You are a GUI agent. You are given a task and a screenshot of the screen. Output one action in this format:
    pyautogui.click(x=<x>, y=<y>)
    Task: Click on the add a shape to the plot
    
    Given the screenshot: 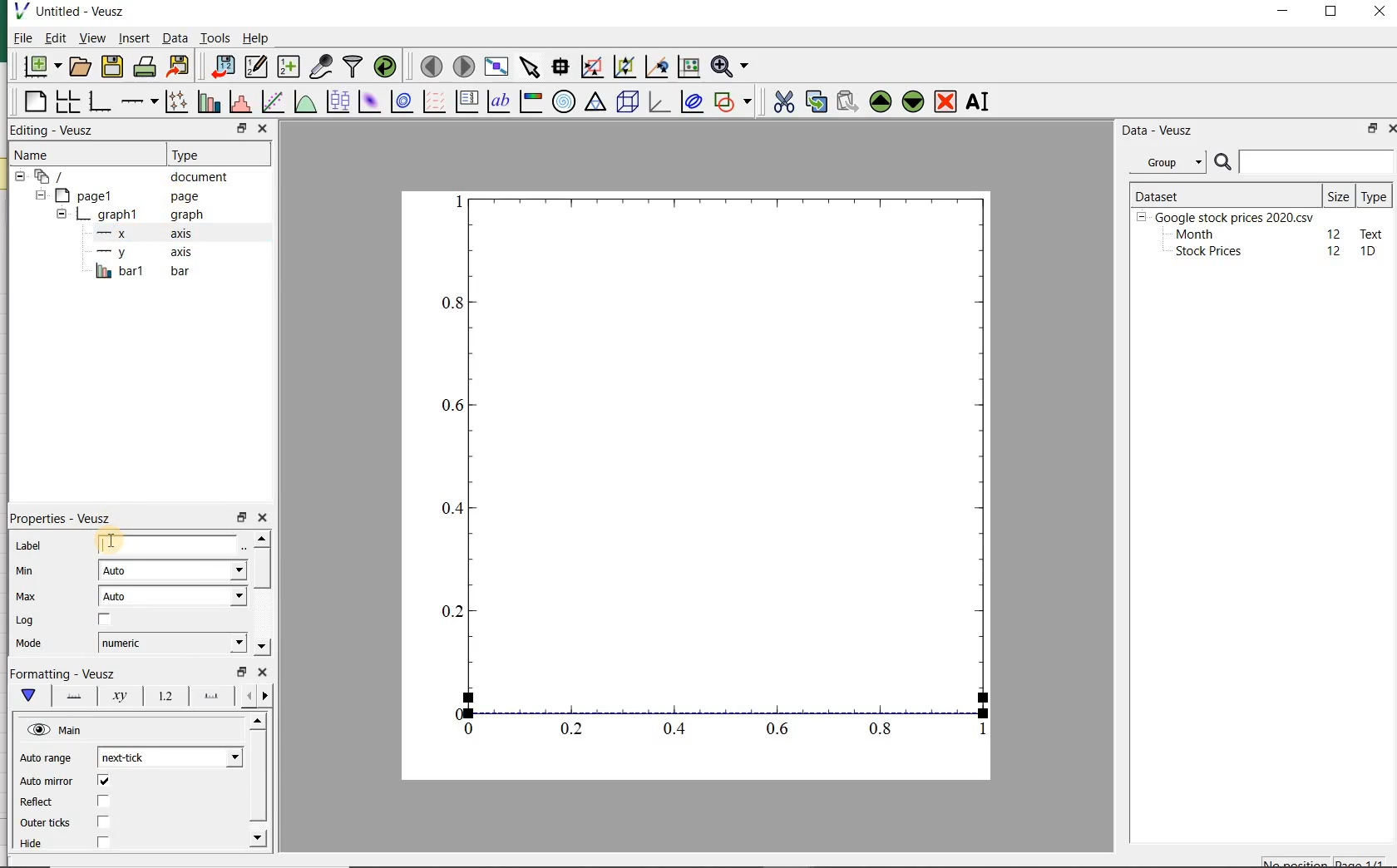 What is the action you would take?
    pyautogui.click(x=733, y=102)
    